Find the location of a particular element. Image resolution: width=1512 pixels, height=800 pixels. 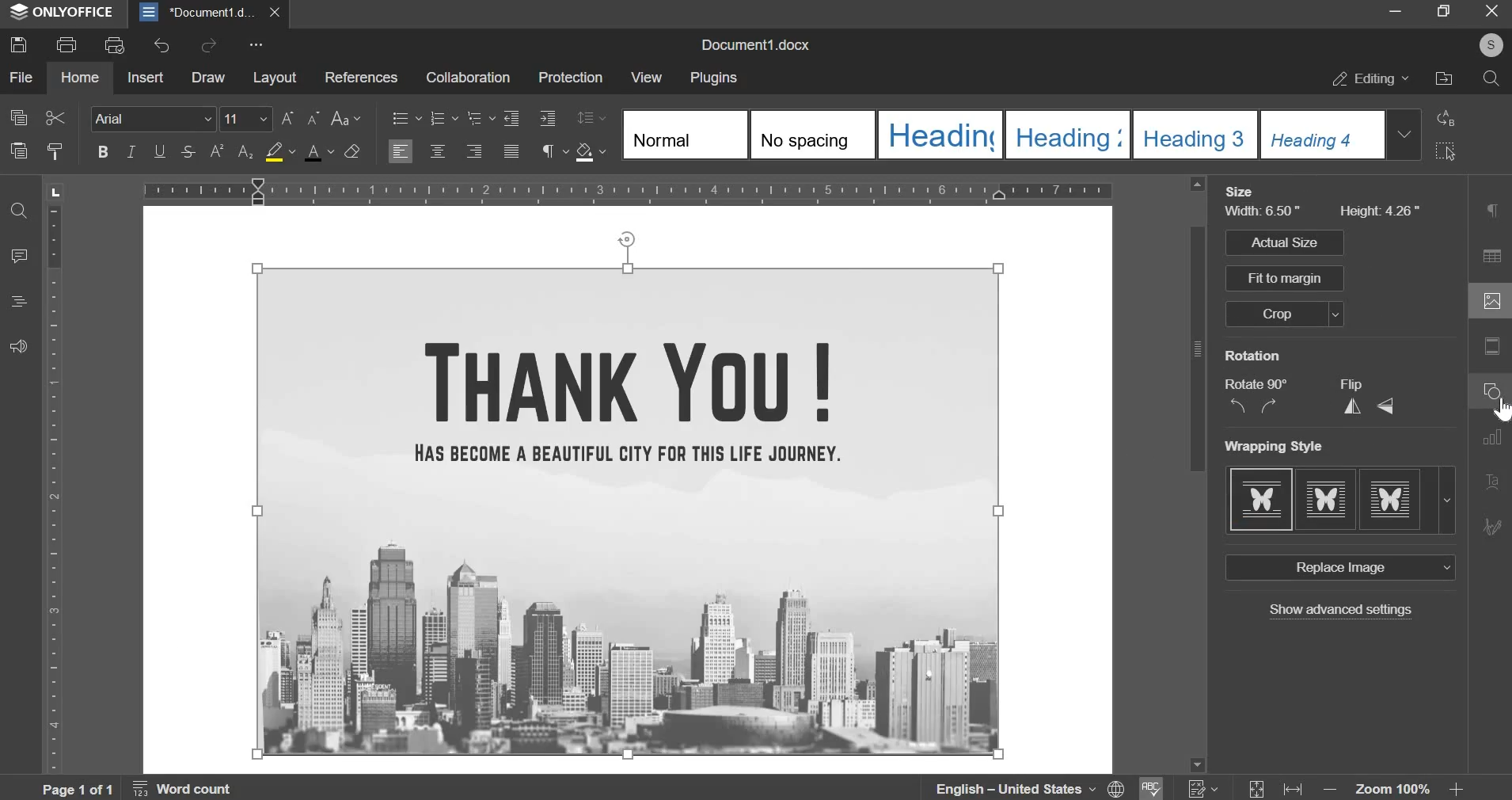

image is located at coordinates (629, 511).